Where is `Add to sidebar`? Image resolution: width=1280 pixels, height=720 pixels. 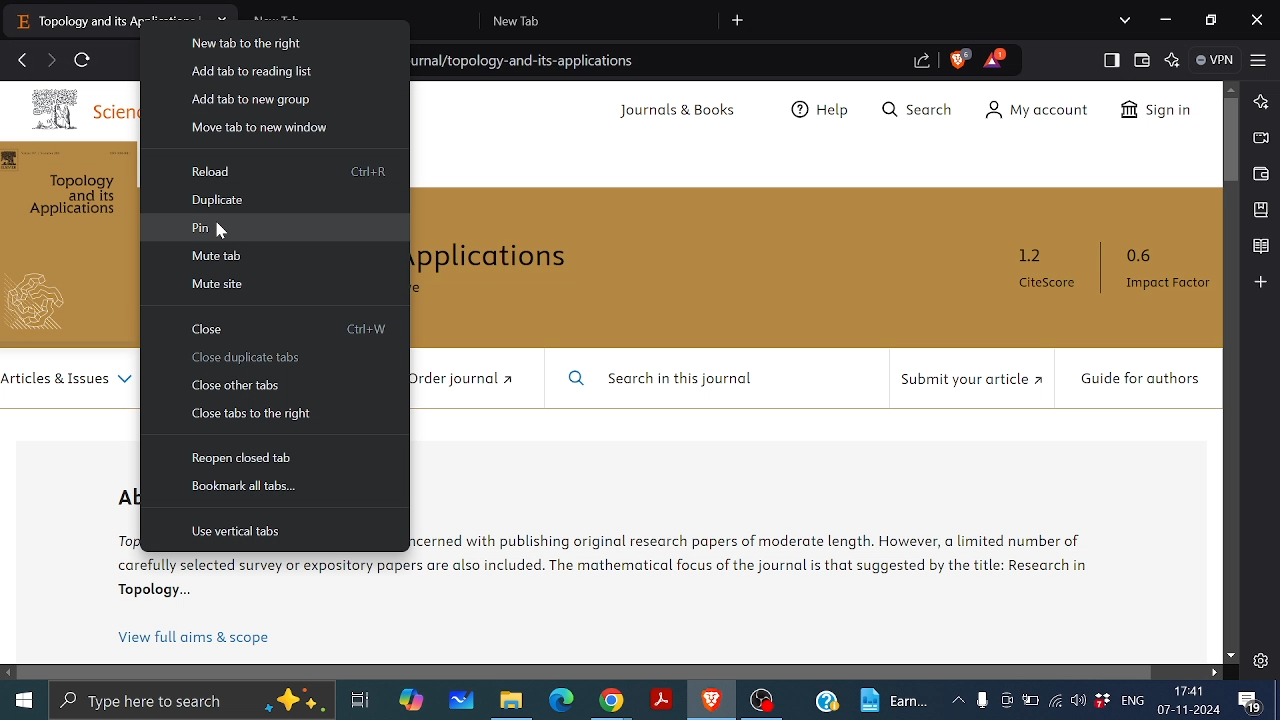
Add to sidebar is located at coordinates (1261, 282).